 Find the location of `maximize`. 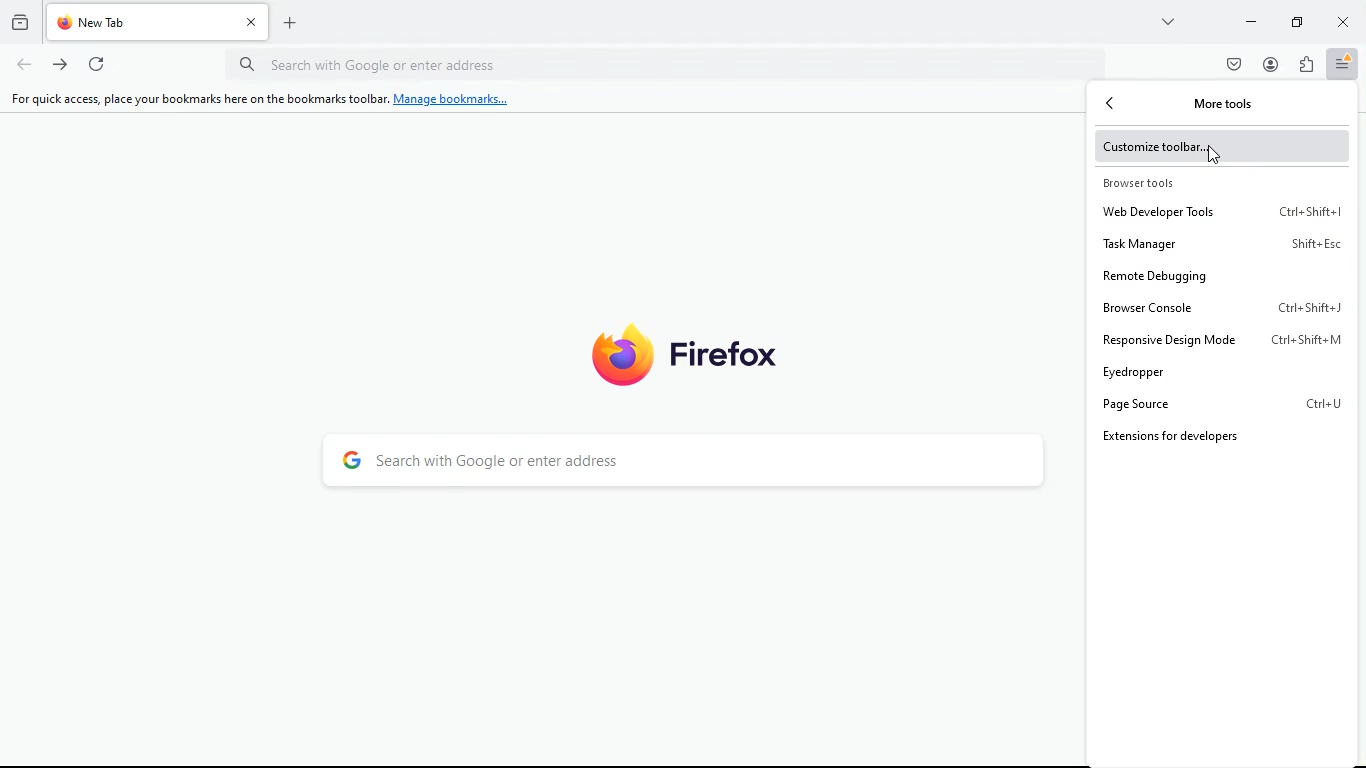

maximize is located at coordinates (1294, 21).